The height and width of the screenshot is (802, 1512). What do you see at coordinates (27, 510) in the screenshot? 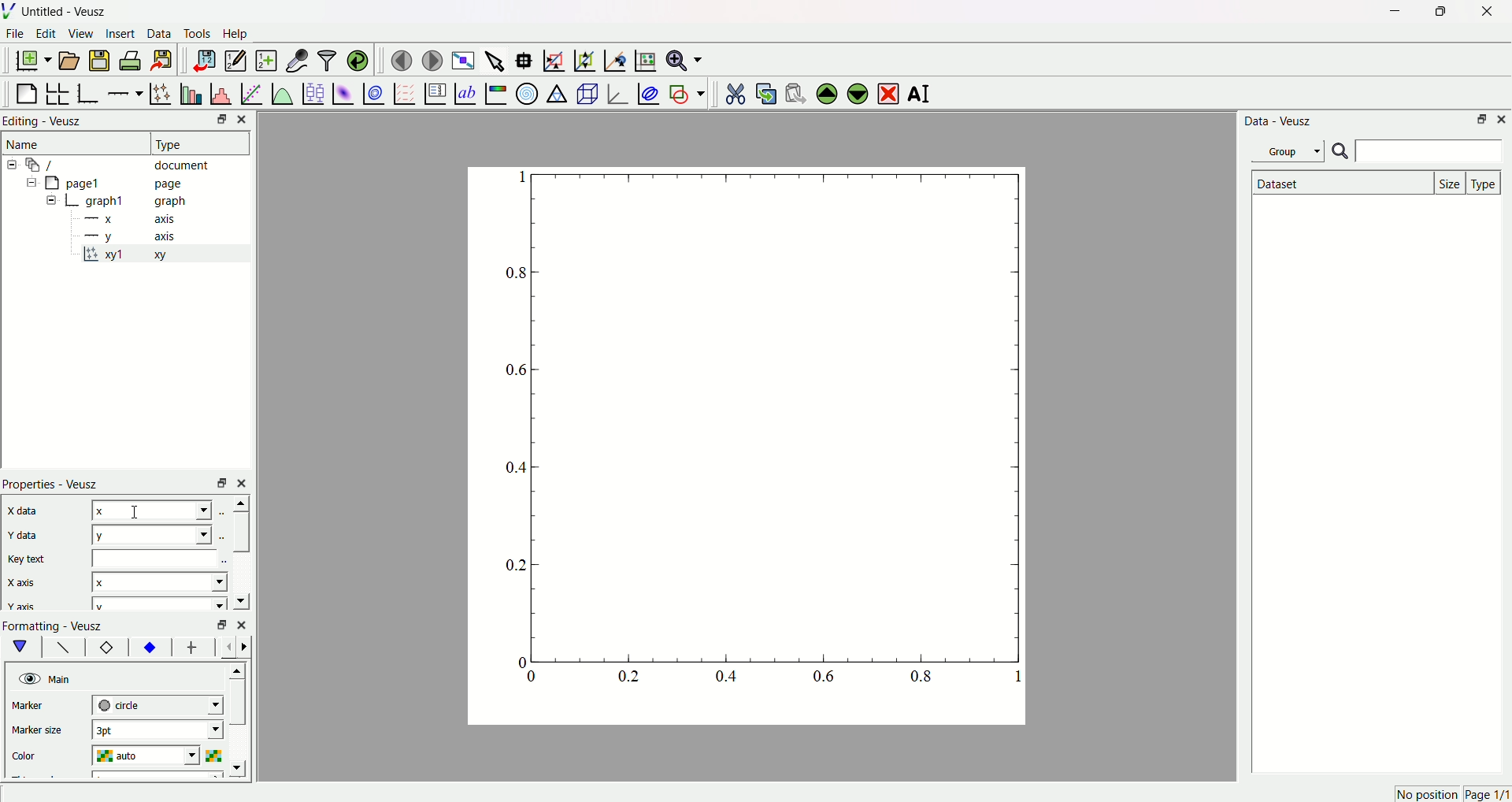
I see `x data` at bounding box center [27, 510].